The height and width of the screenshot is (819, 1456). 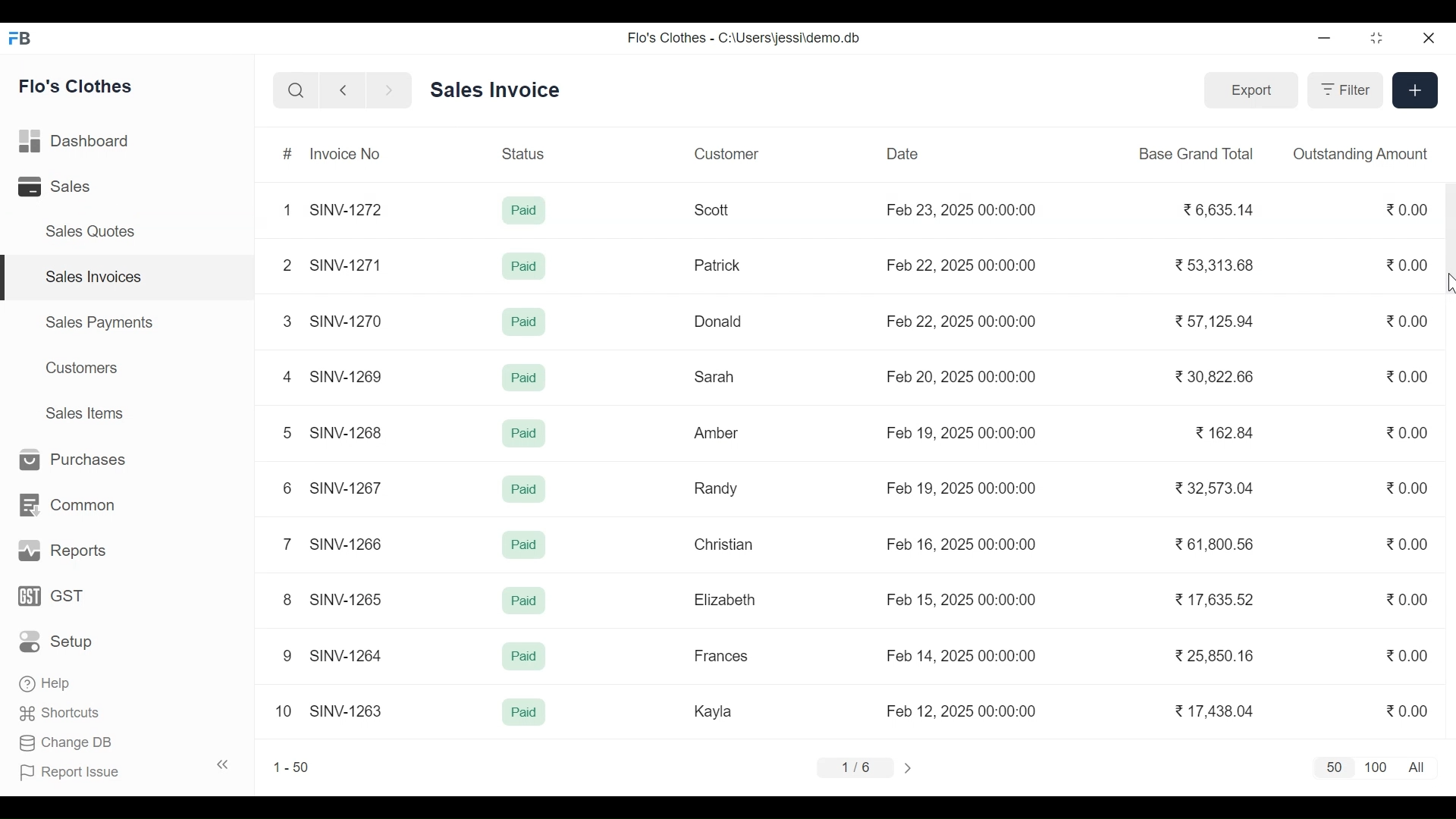 I want to click on Shortcuts, so click(x=61, y=716).